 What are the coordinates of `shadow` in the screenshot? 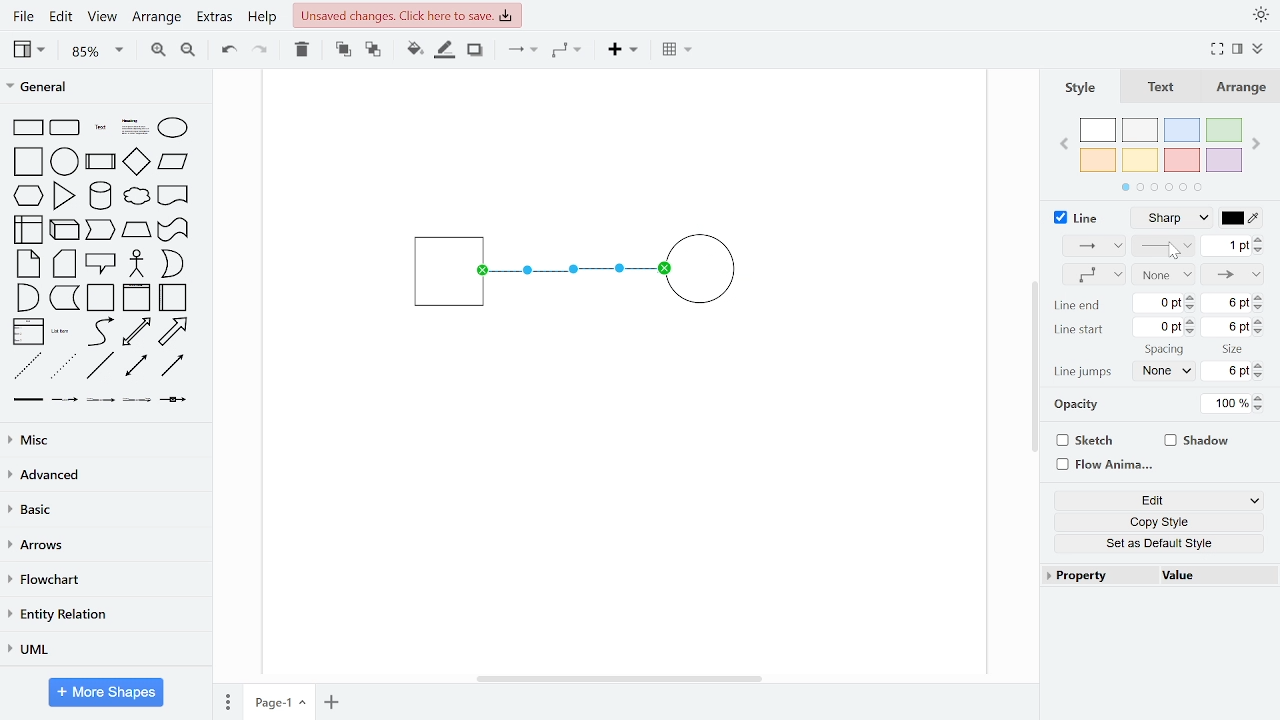 It's located at (1198, 442).